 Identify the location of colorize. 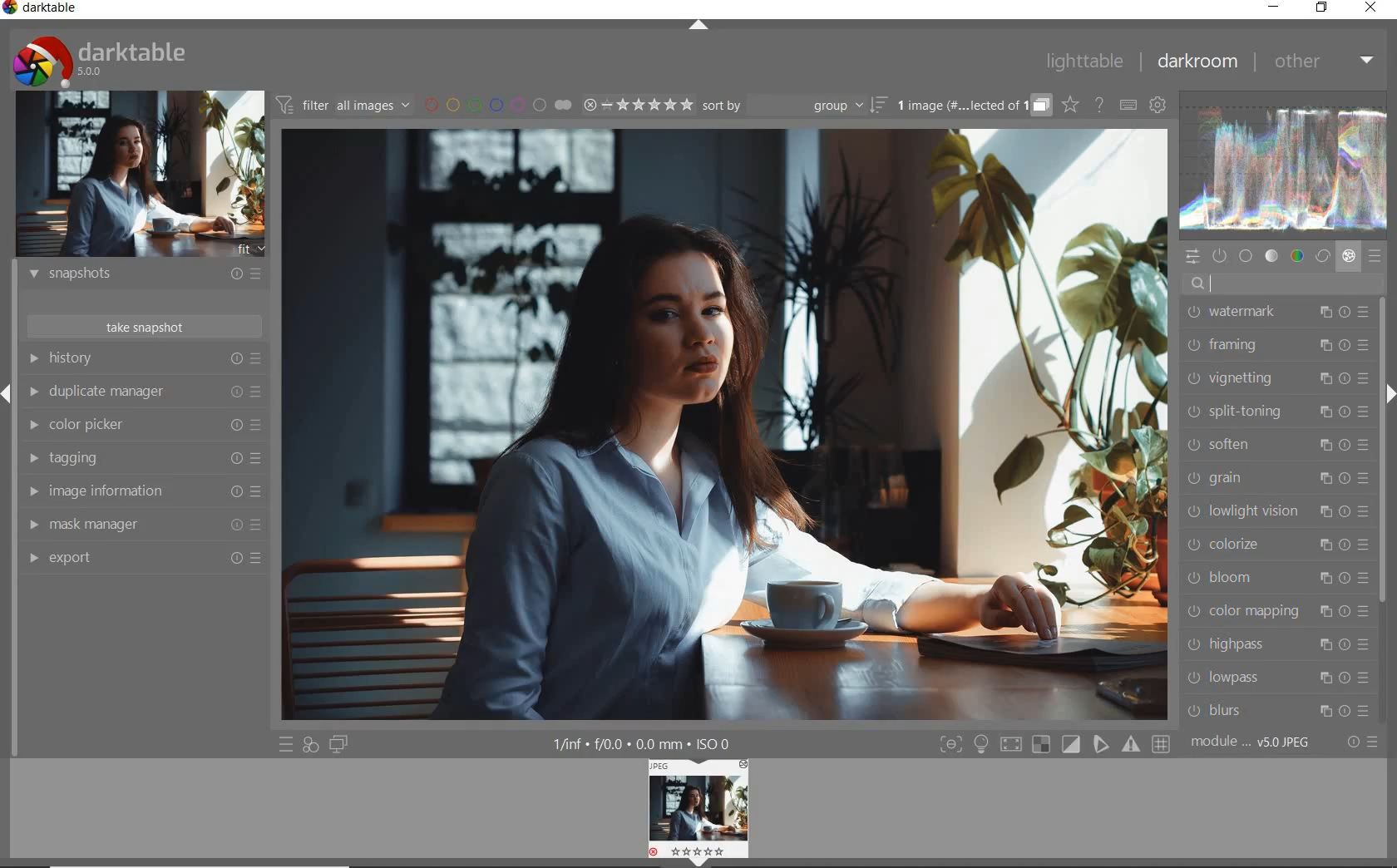
(1276, 545).